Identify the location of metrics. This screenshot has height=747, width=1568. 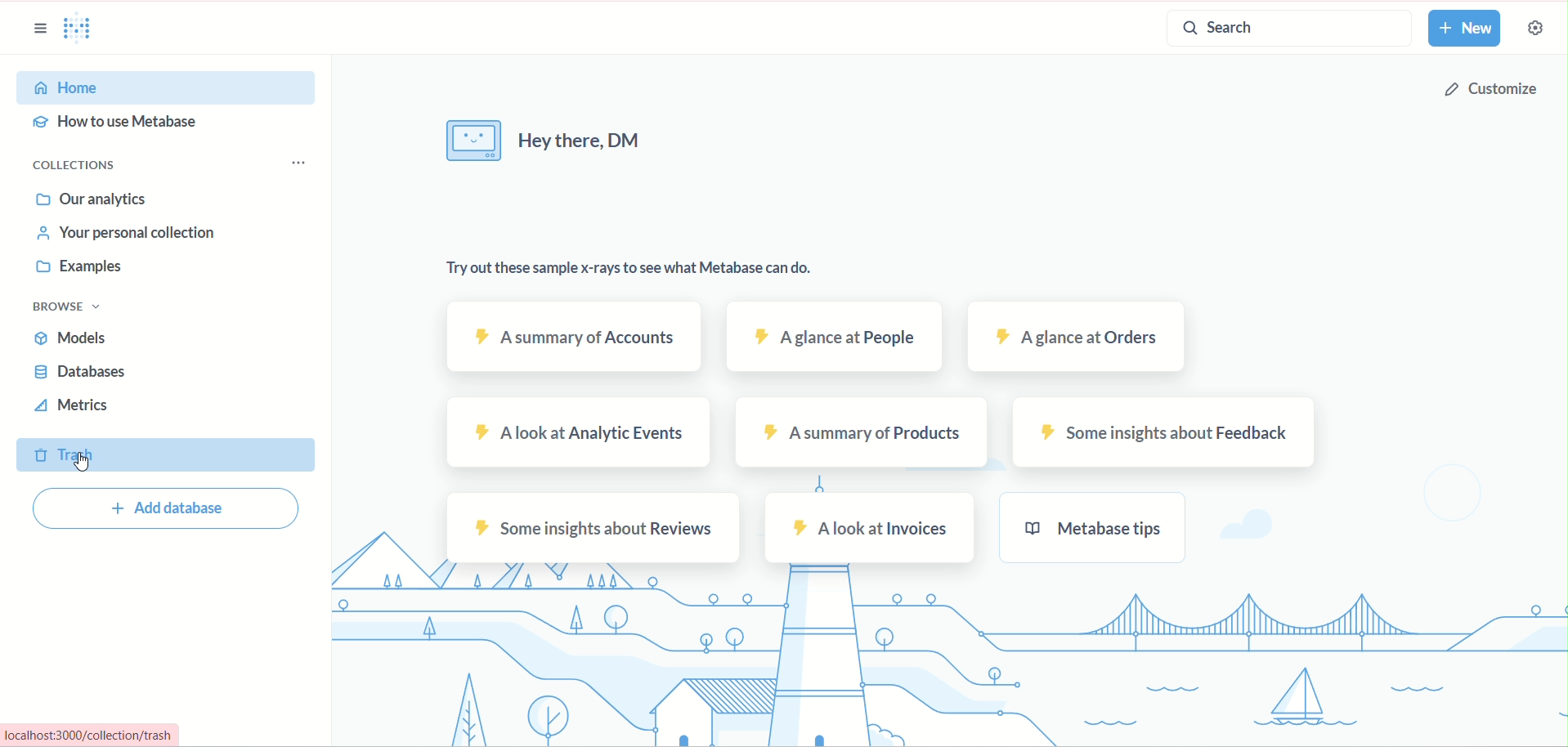
(78, 406).